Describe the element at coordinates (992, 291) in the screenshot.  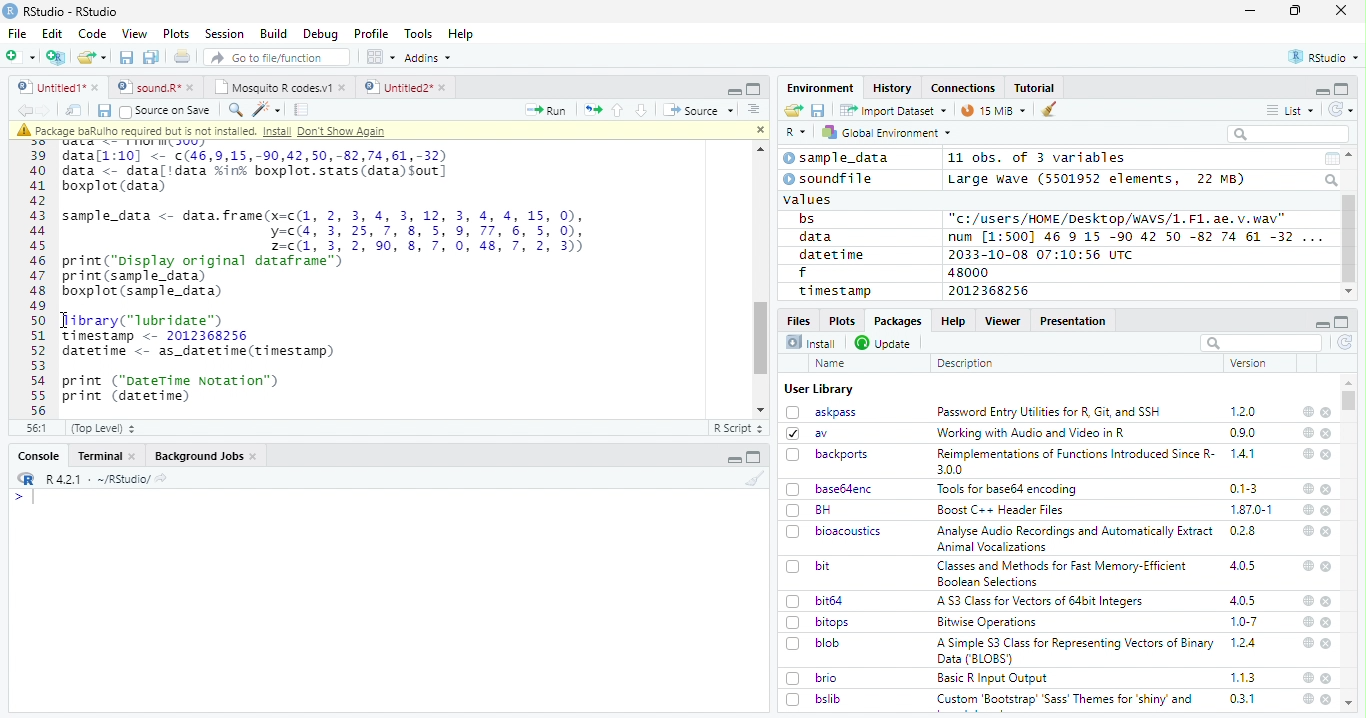
I see `2012368256` at that location.